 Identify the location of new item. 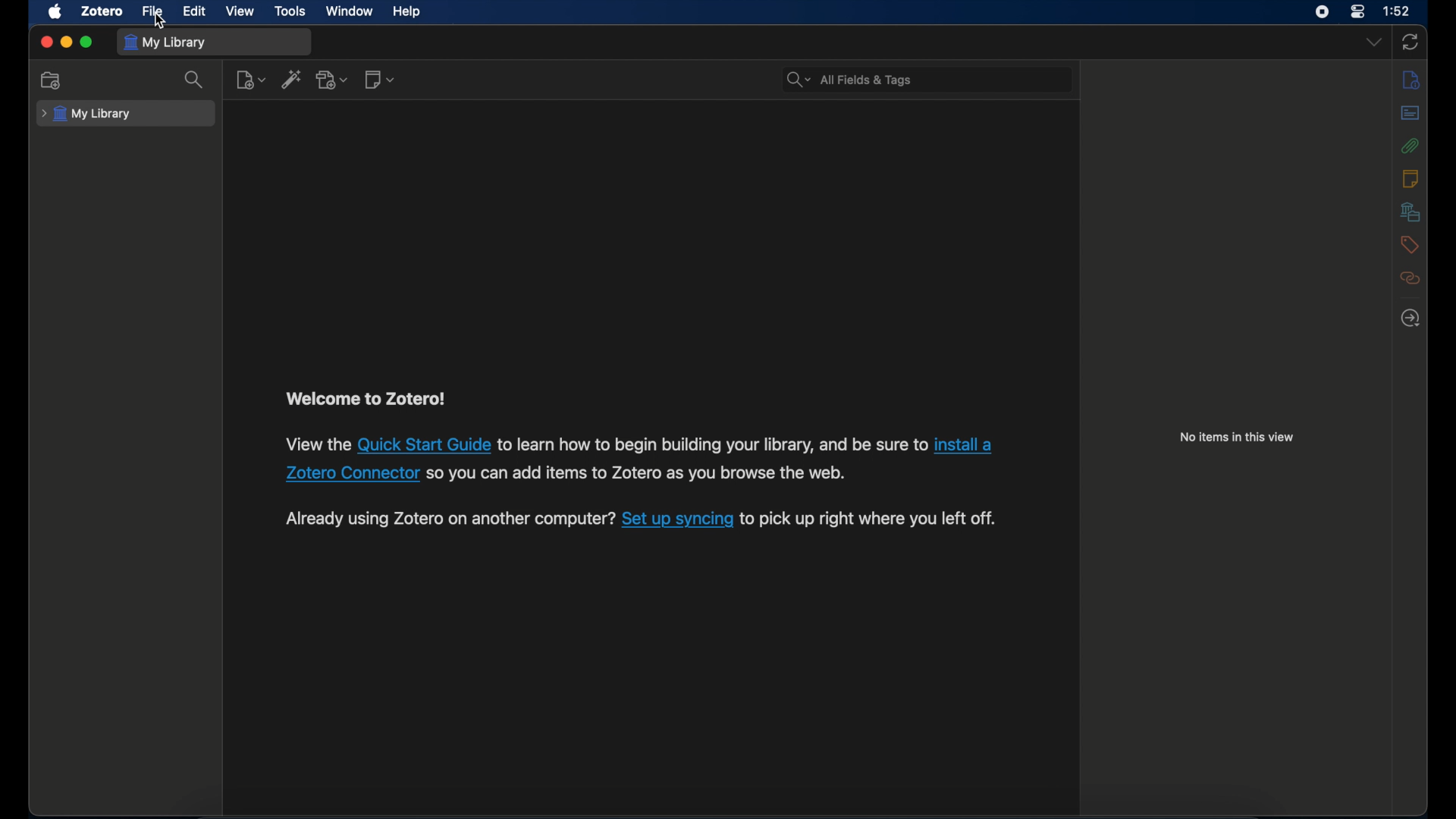
(249, 80).